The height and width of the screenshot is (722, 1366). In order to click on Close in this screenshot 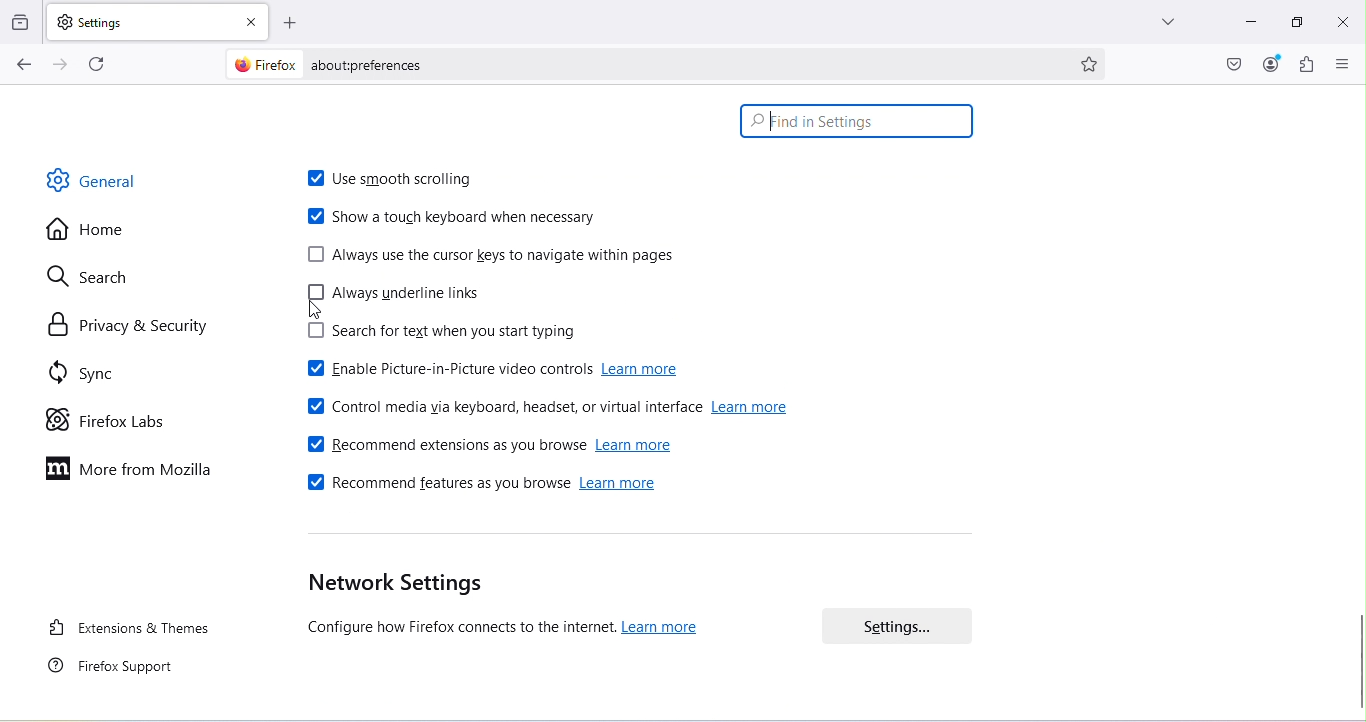, I will do `click(1343, 21)`.